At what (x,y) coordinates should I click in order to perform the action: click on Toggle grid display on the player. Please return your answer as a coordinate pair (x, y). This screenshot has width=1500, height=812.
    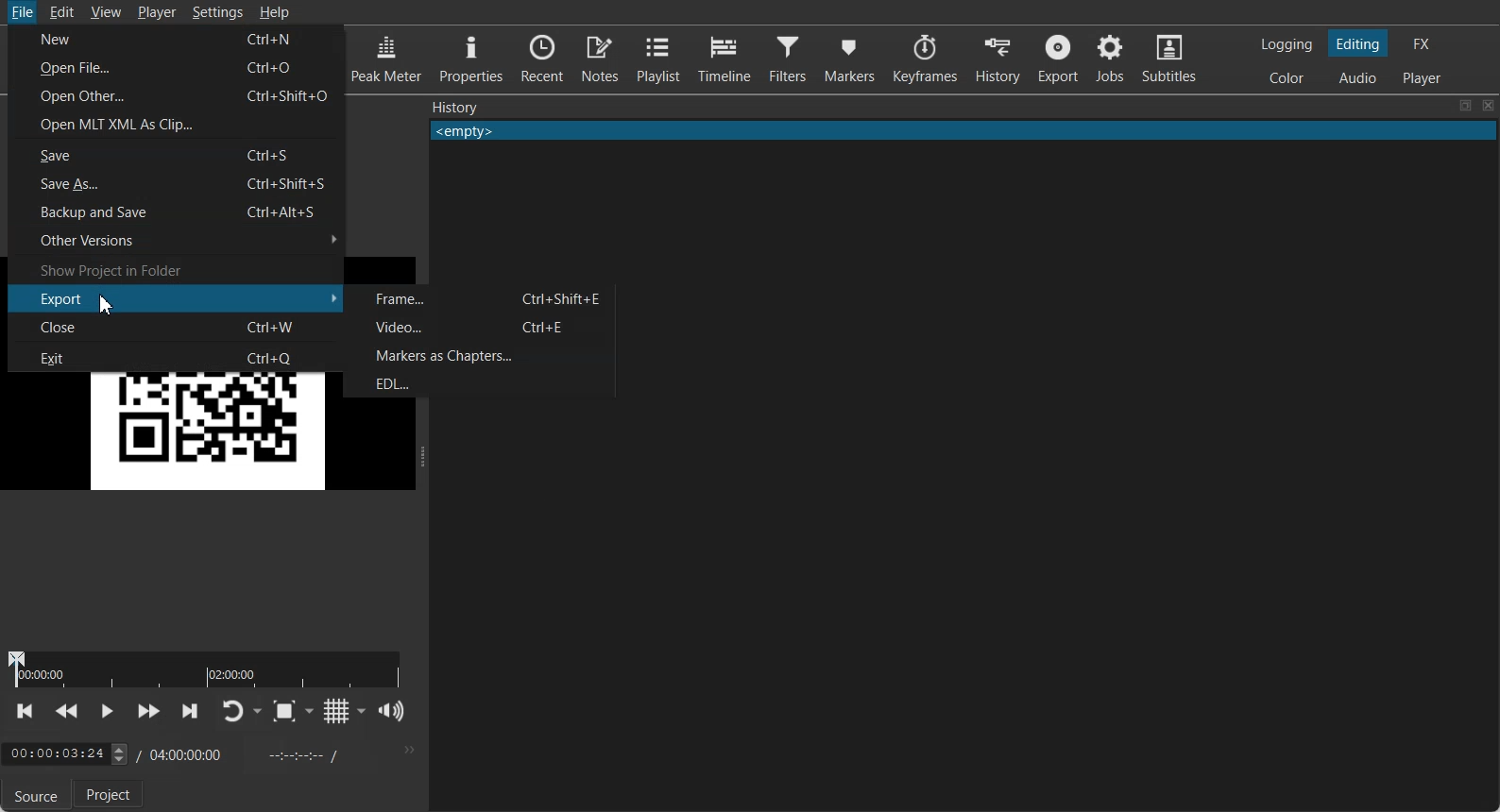
    Looking at the image, I should click on (335, 711).